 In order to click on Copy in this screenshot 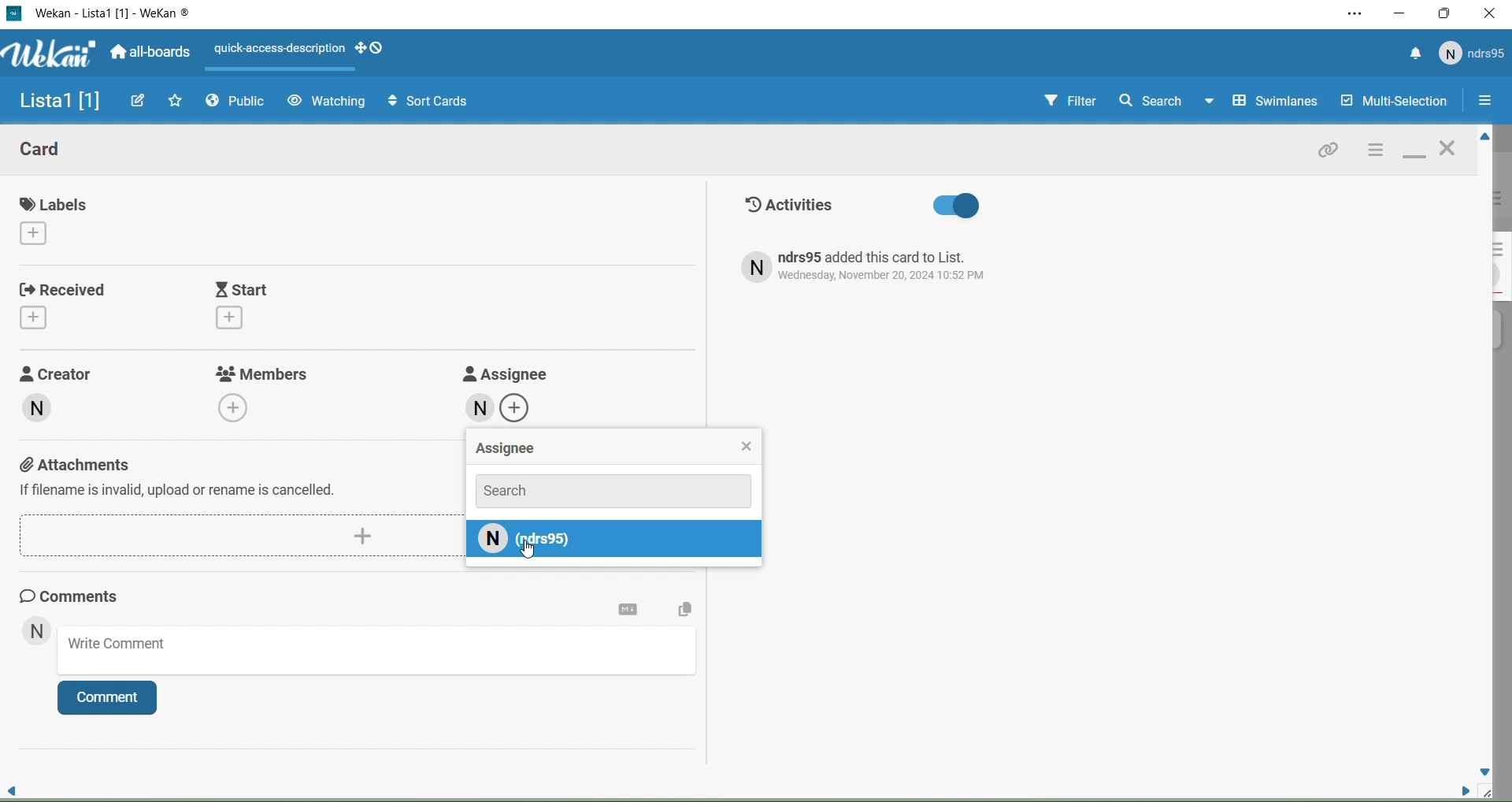, I will do `click(682, 611)`.